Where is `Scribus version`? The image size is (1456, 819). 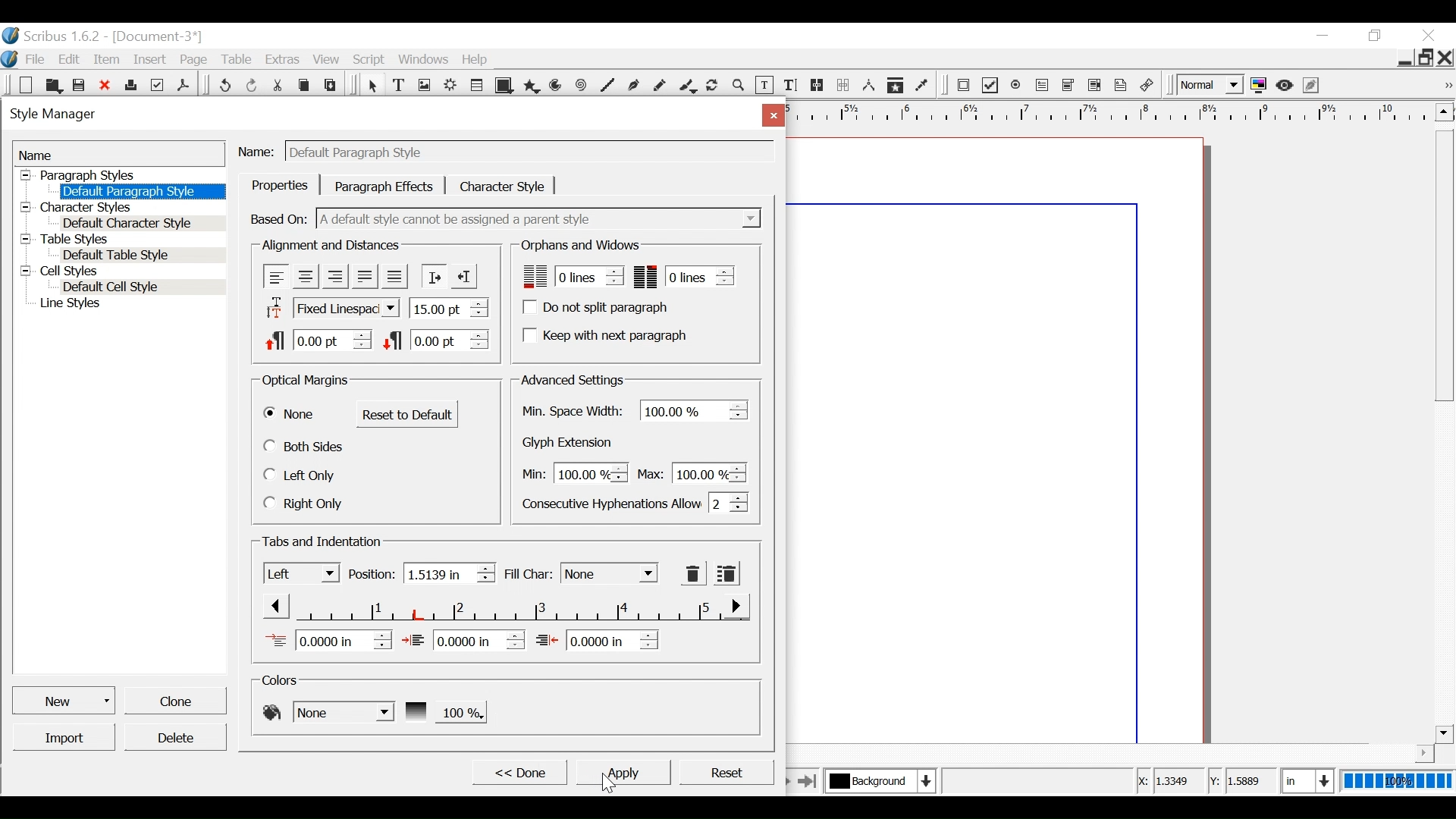
Scribus version is located at coordinates (52, 36).